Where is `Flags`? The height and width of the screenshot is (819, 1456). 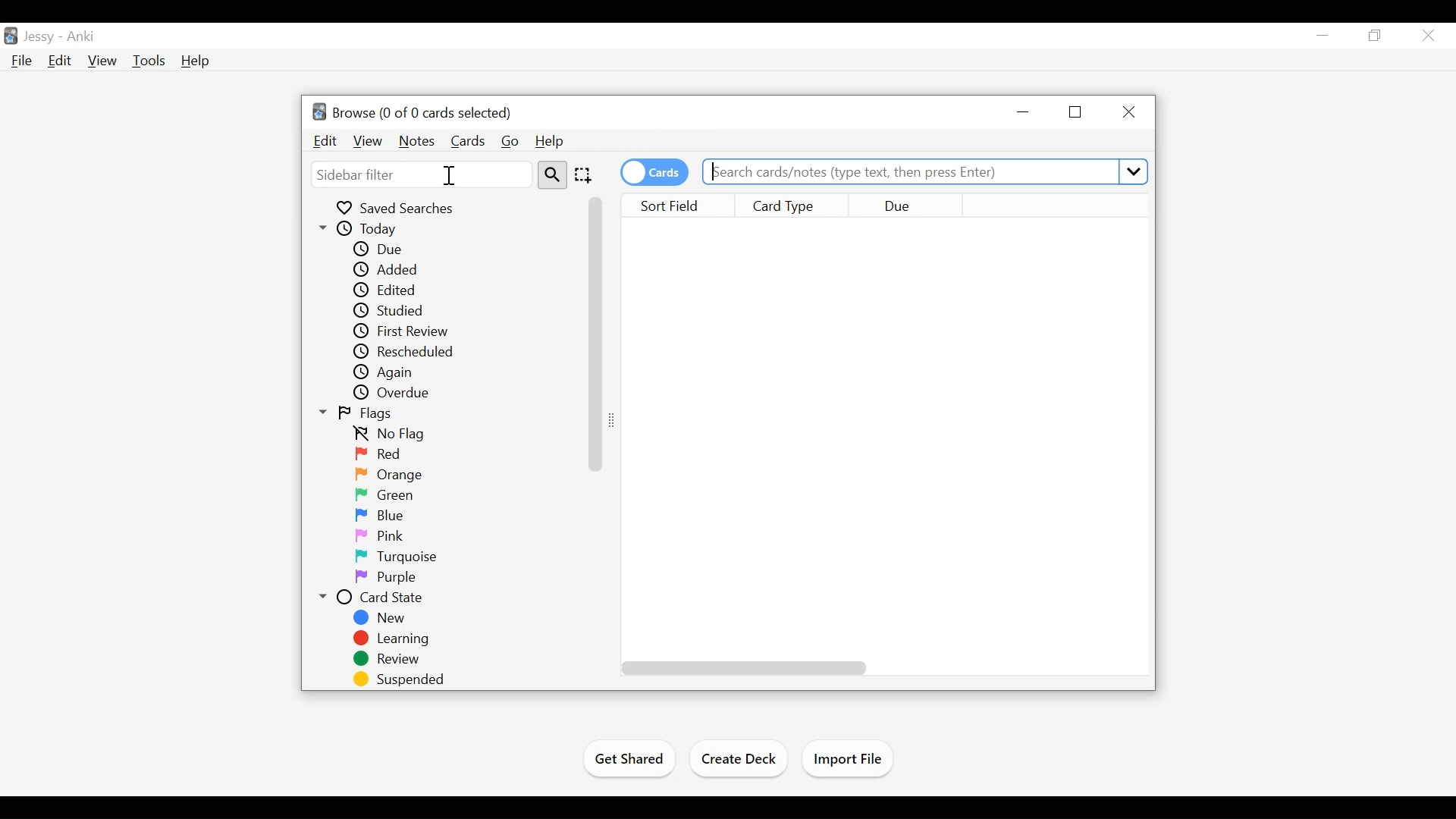
Flags is located at coordinates (359, 413).